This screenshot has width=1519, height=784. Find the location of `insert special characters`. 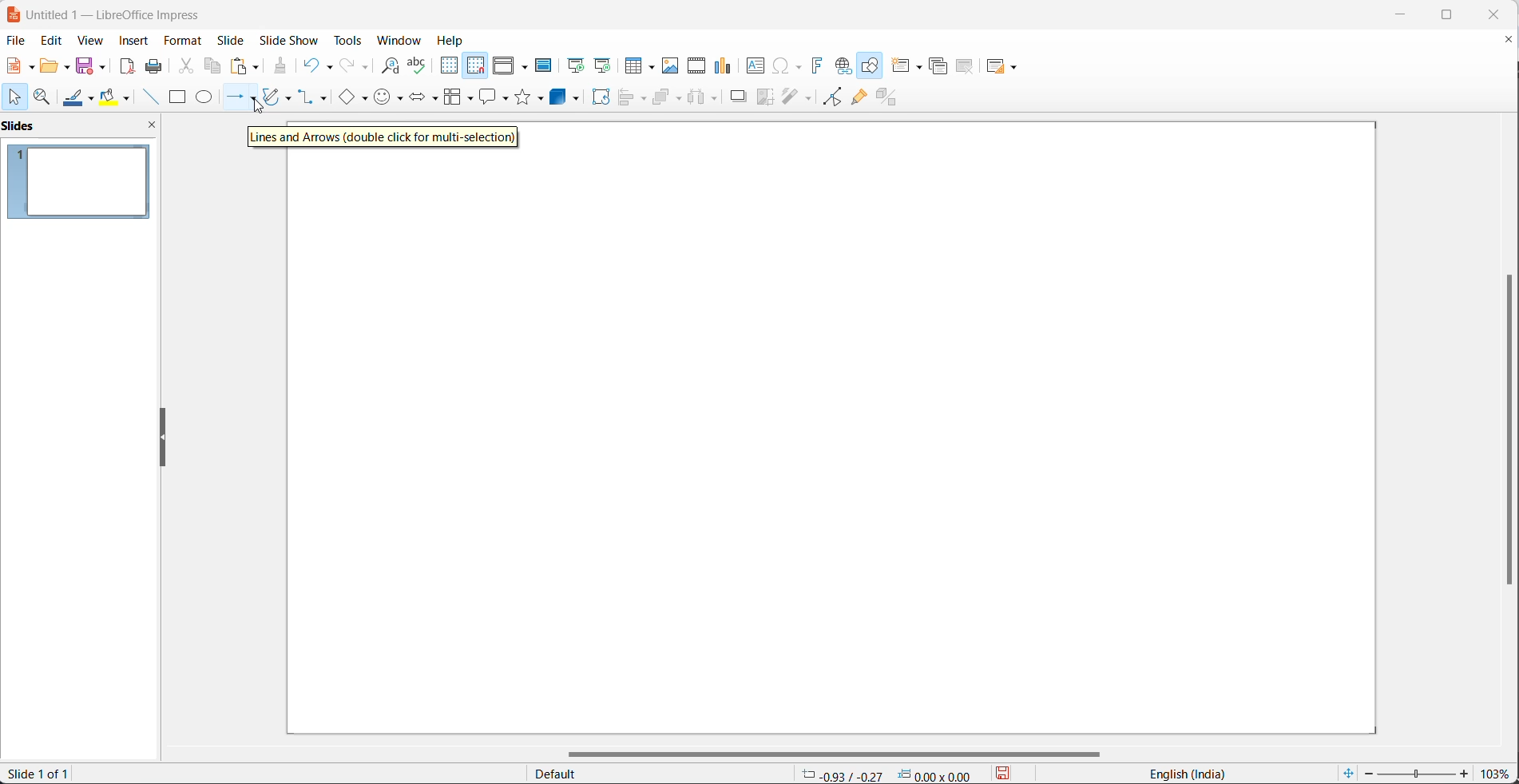

insert special characters is located at coordinates (787, 65).